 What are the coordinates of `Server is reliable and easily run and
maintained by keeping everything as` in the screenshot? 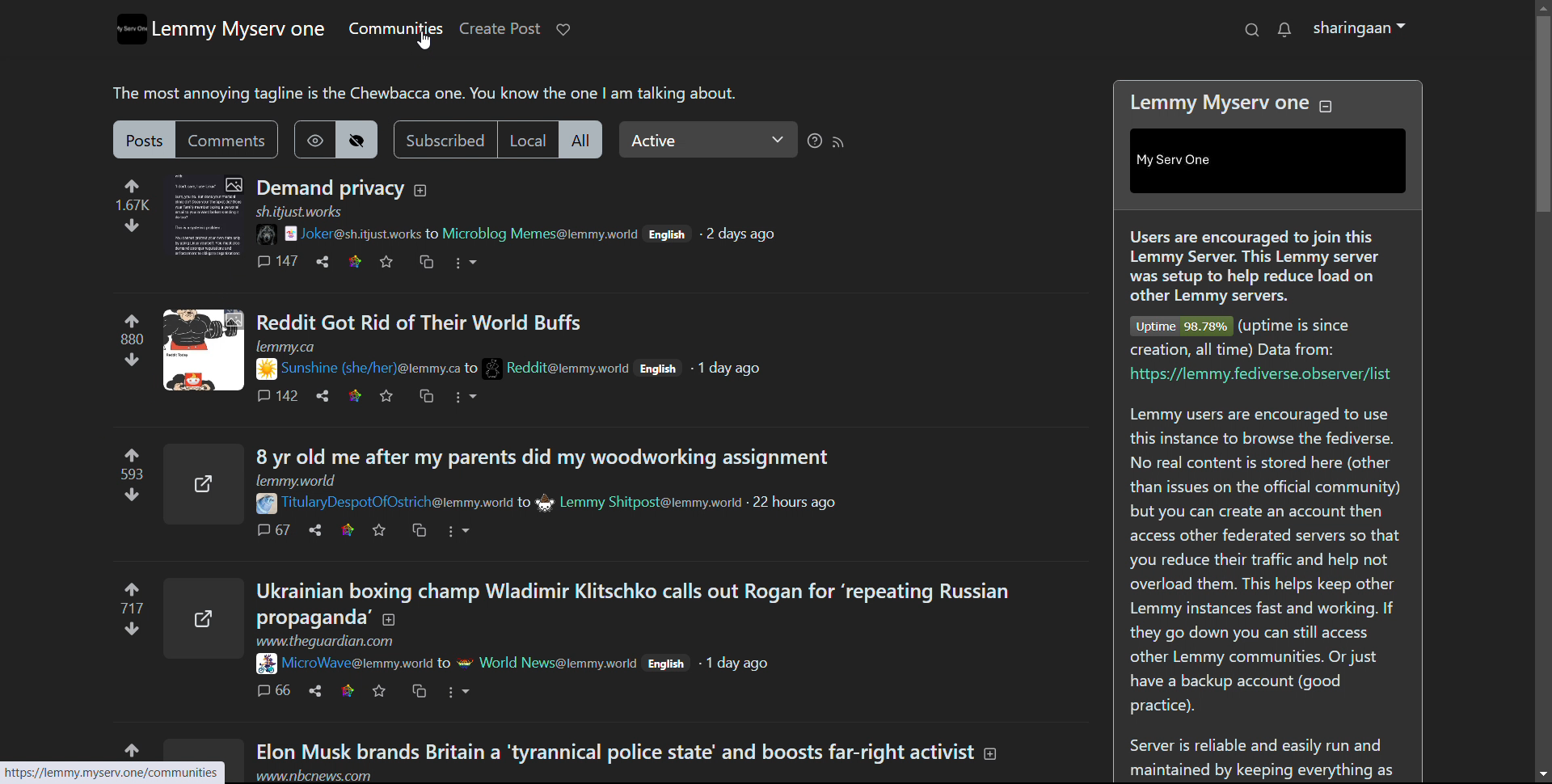 It's located at (1264, 756).